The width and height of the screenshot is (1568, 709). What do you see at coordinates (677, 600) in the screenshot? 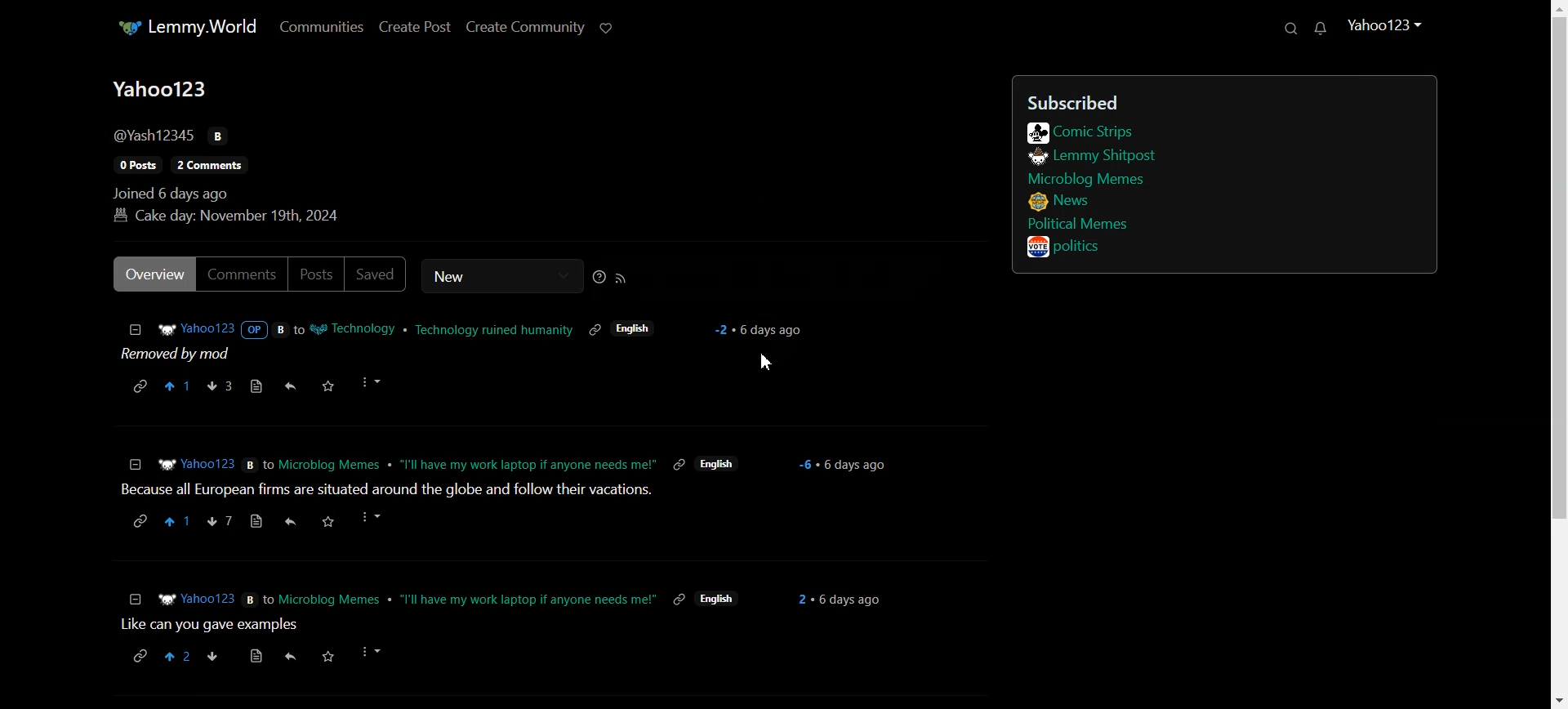
I see `ne ne` at bounding box center [677, 600].